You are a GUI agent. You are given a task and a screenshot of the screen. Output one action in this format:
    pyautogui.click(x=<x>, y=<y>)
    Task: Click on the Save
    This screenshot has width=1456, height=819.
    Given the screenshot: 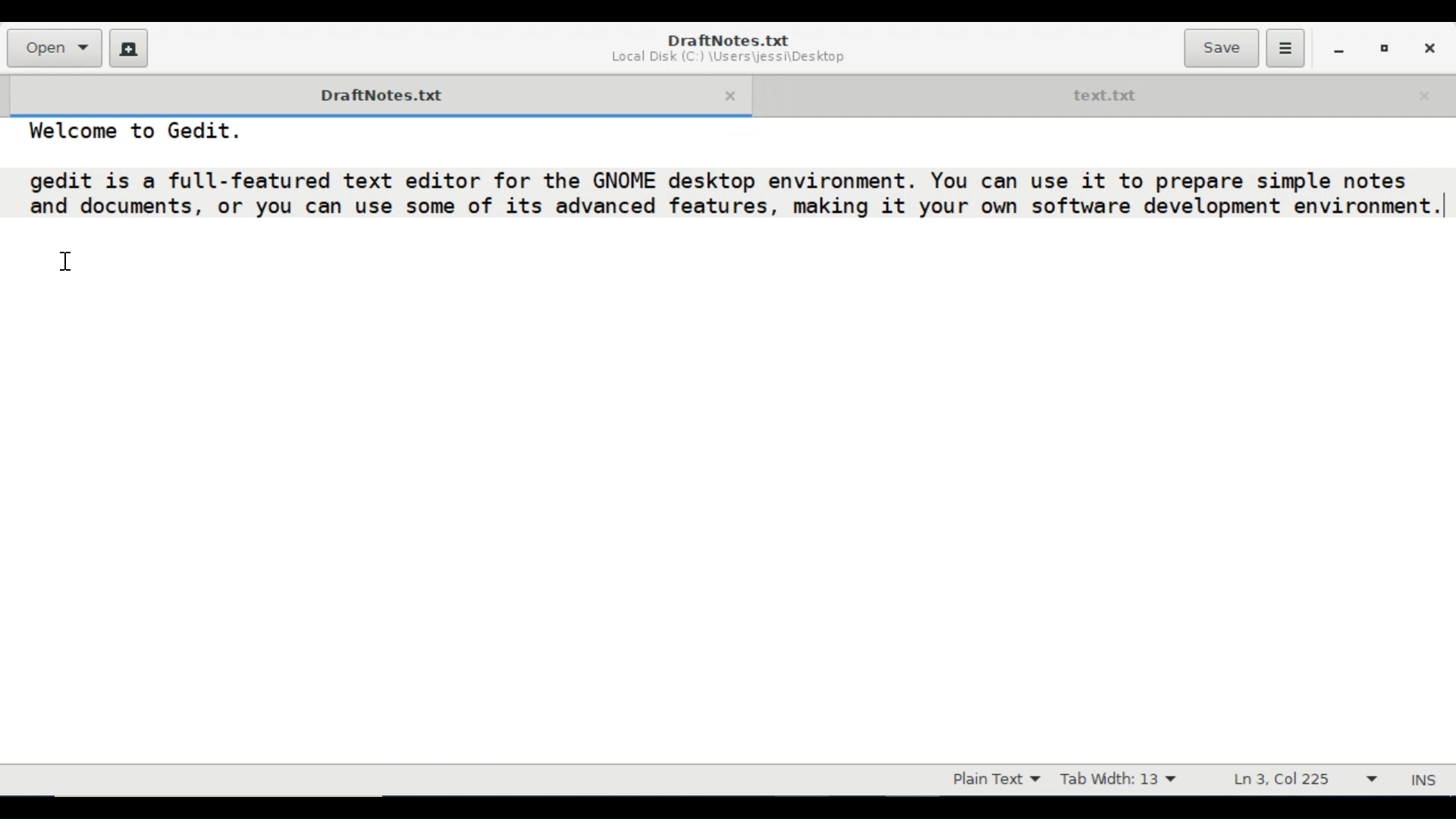 What is the action you would take?
    pyautogui.click(x=1221, y=48)
    